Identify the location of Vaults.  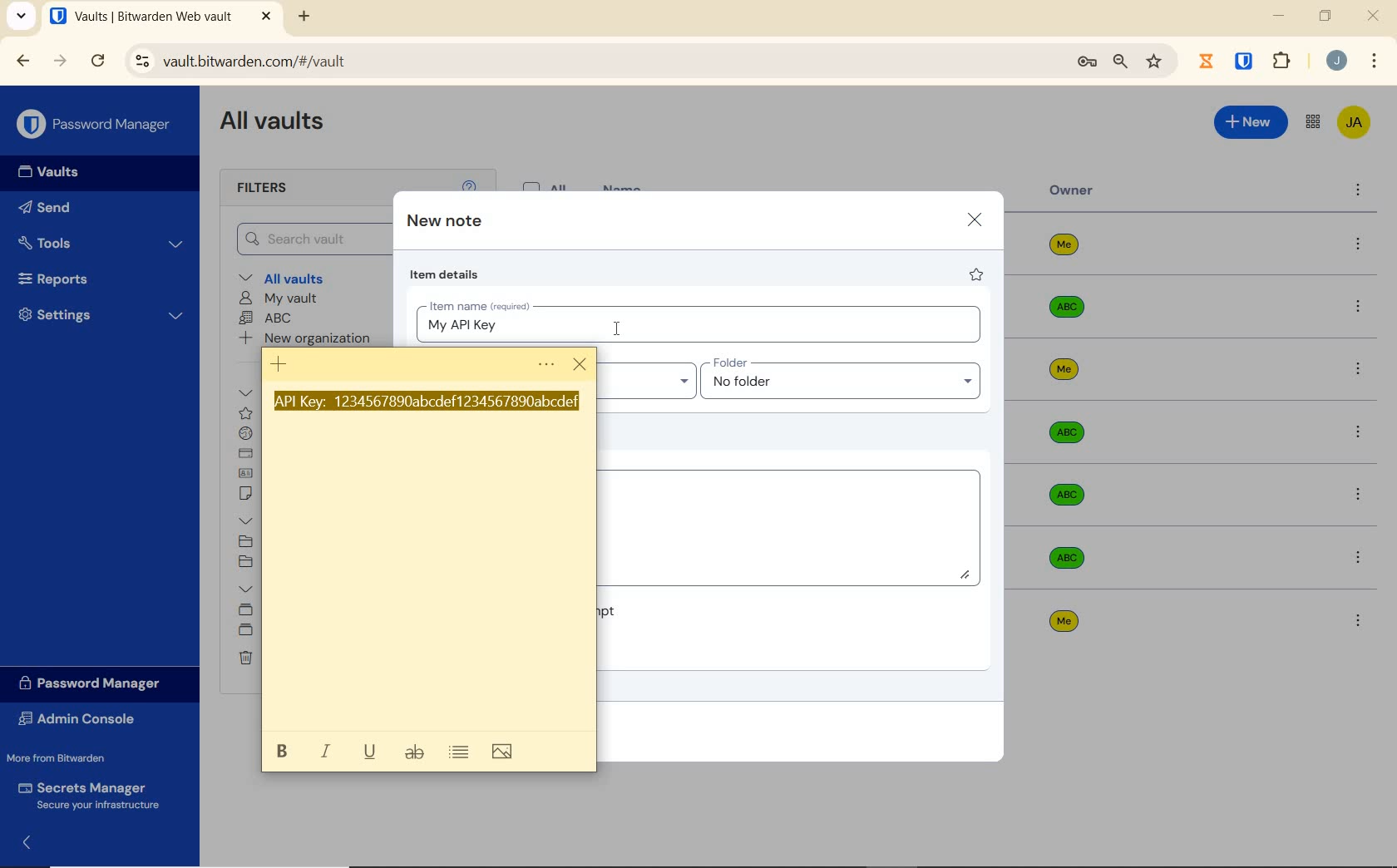
(57, 174).